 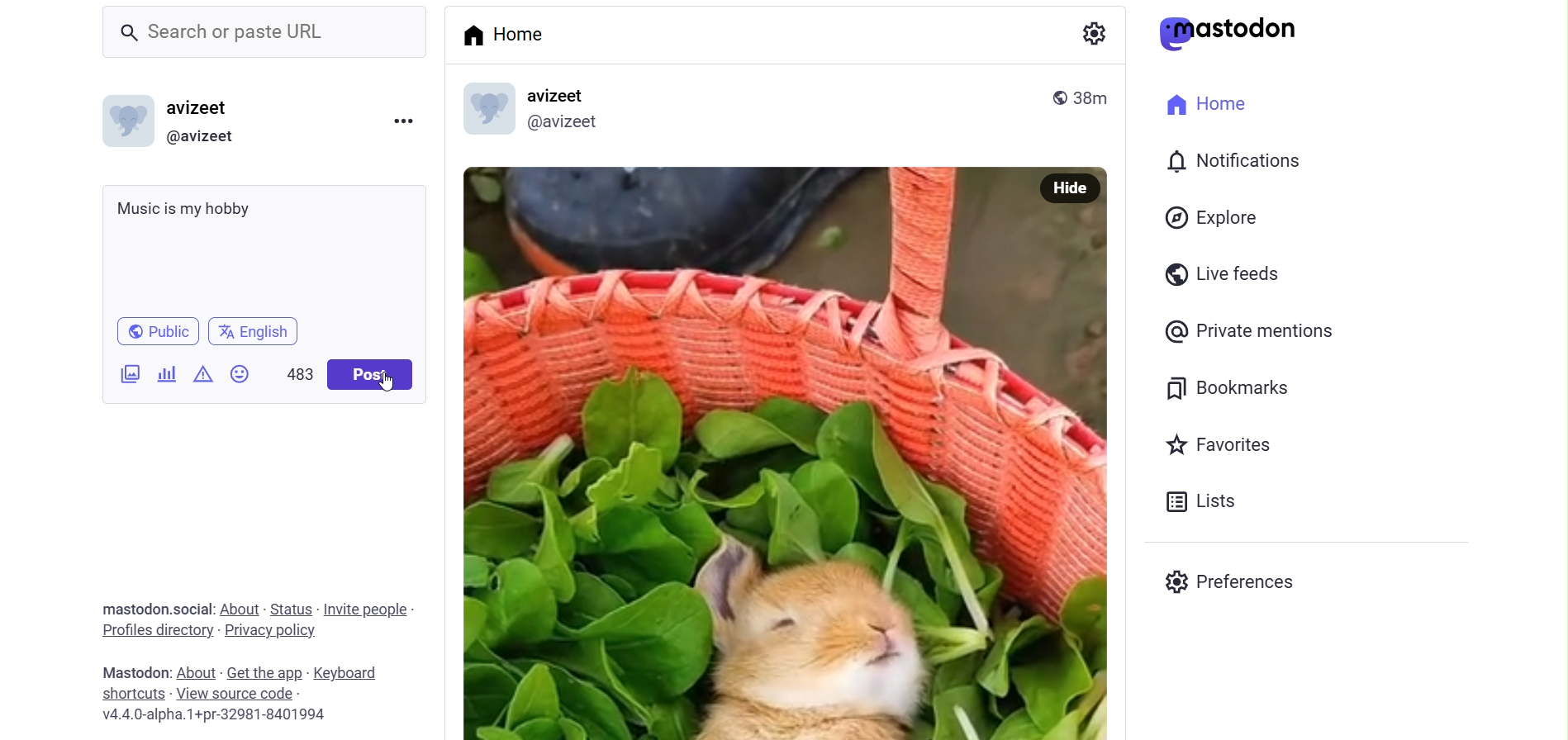 What do you see at coordinates (1205, 501) in the screenshot?
I see `Lists` at bounding box center [1205, 501].